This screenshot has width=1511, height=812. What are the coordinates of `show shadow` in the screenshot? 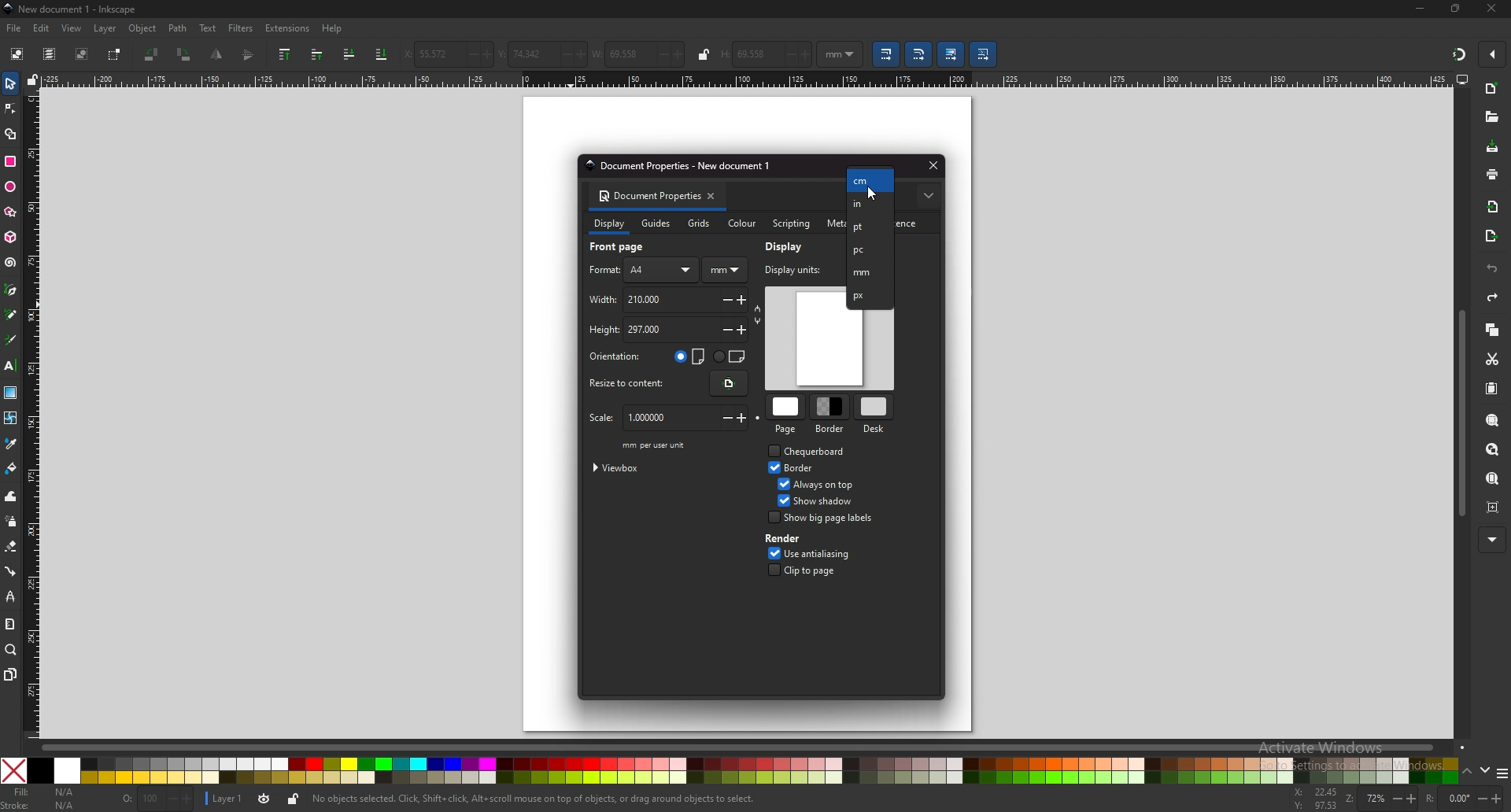 It's located at (829, 500).